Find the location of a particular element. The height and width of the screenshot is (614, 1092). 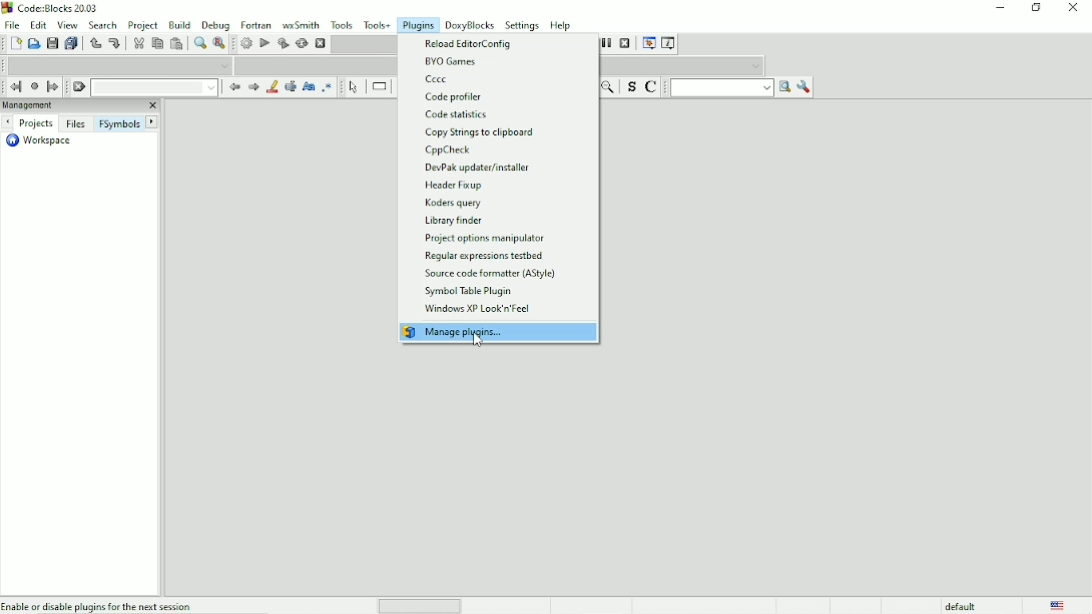

Debugging window is located at coordinates (648, 43).